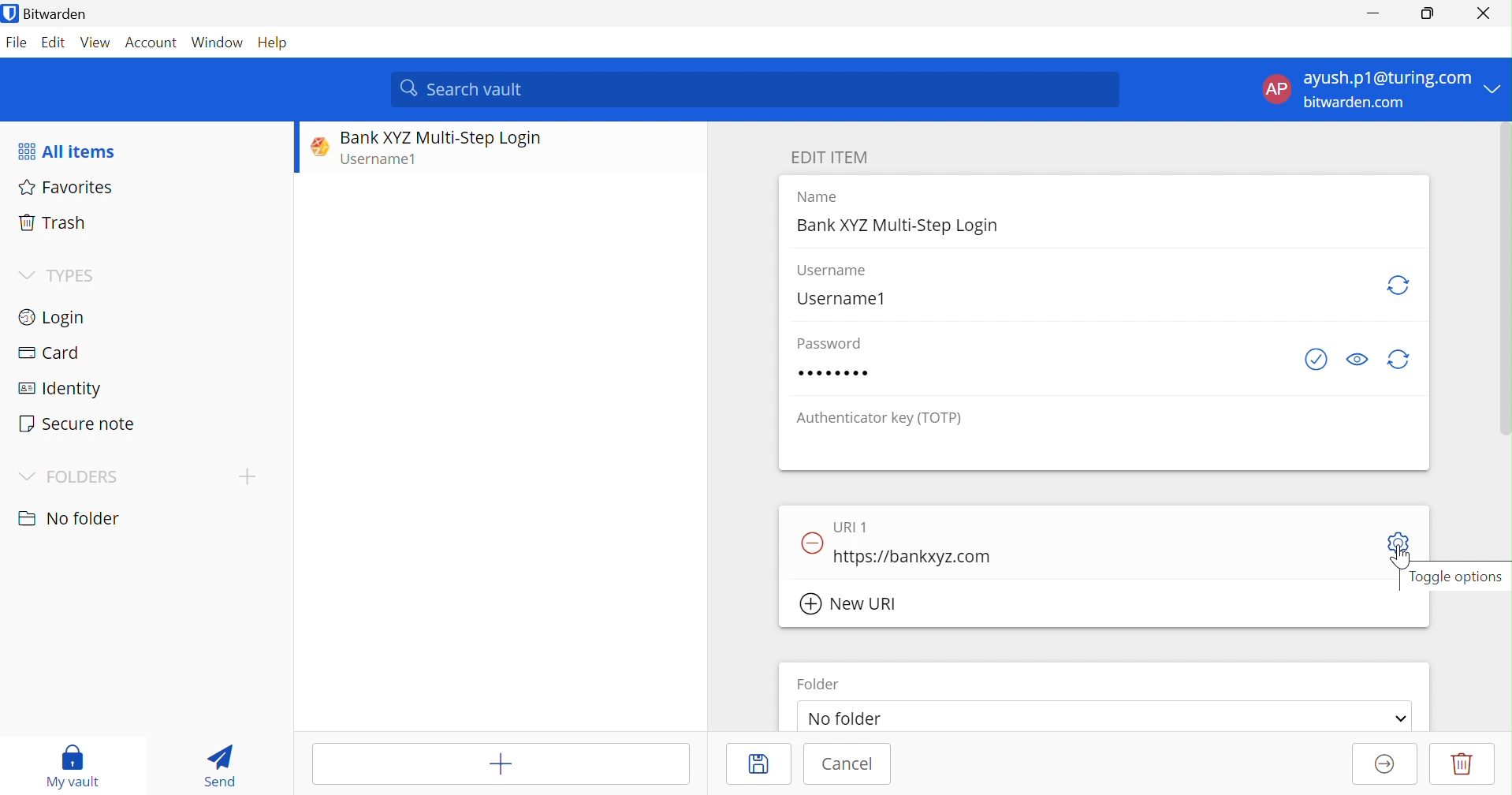  Describe the element at coordinates (76, 275) in the screenshot. I see `TYPES` at that location.